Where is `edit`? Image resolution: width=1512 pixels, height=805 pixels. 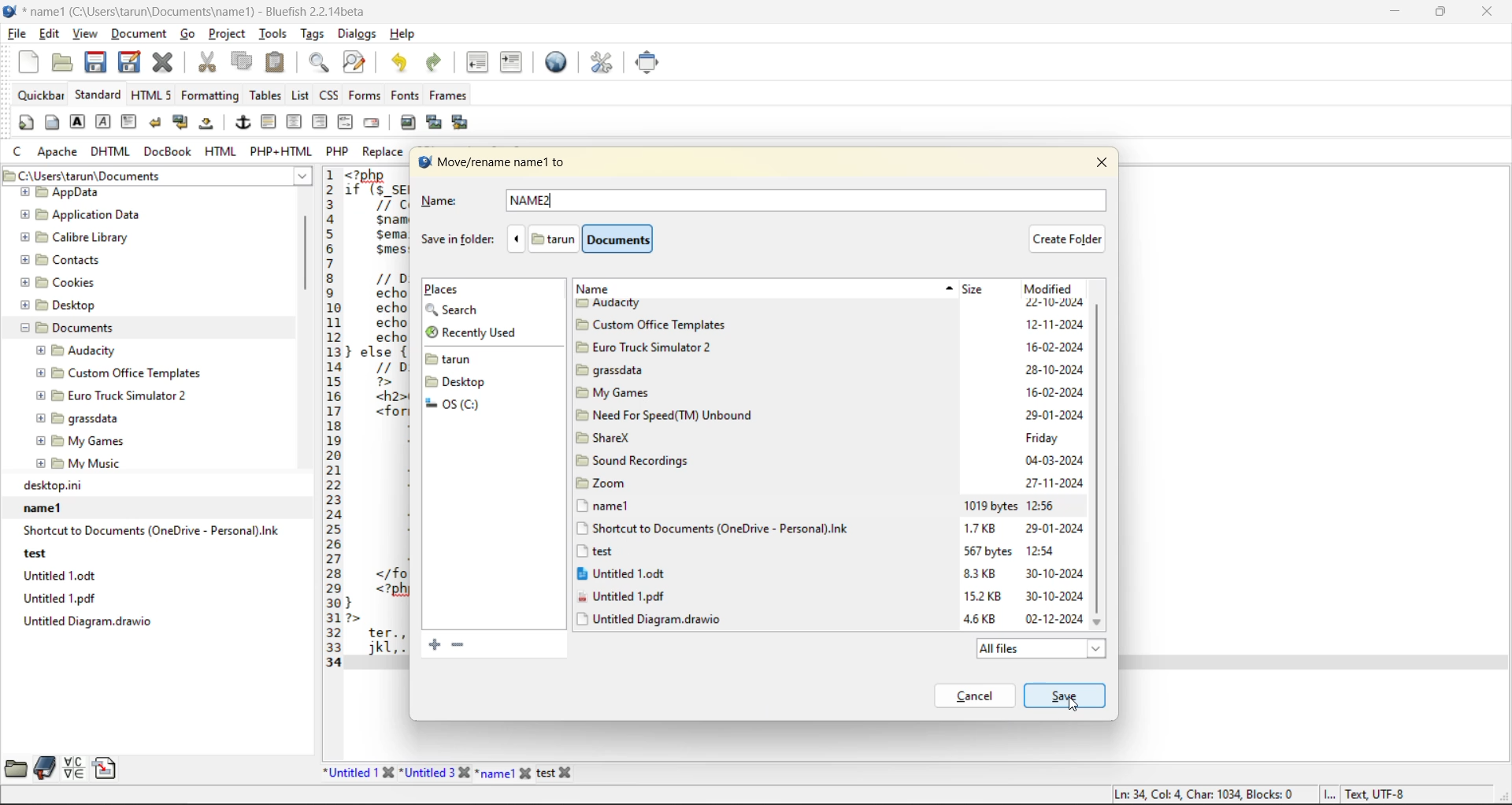 edit is located at coordinates (51, 35).